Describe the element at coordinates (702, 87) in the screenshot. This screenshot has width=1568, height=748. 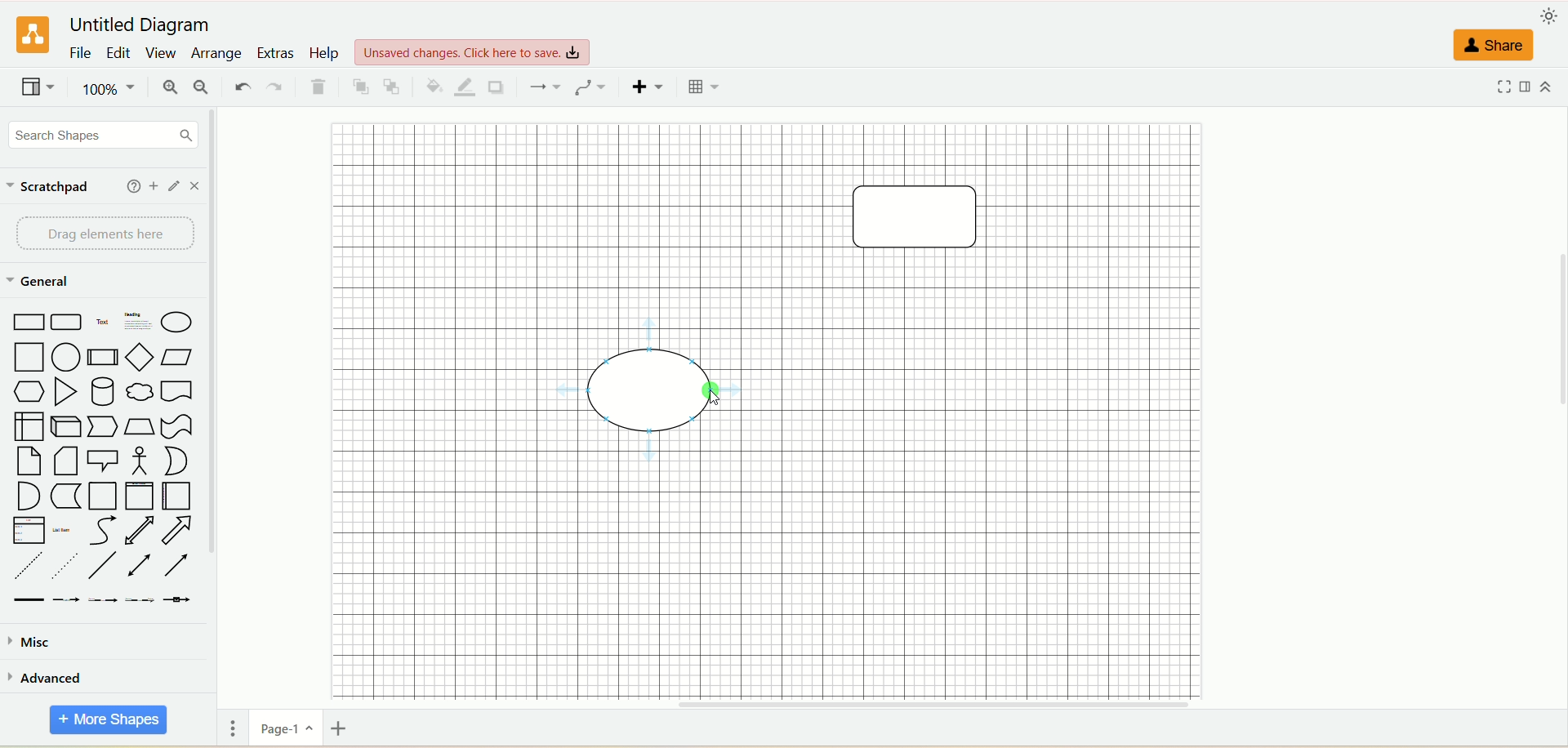
I see `table` at that location.